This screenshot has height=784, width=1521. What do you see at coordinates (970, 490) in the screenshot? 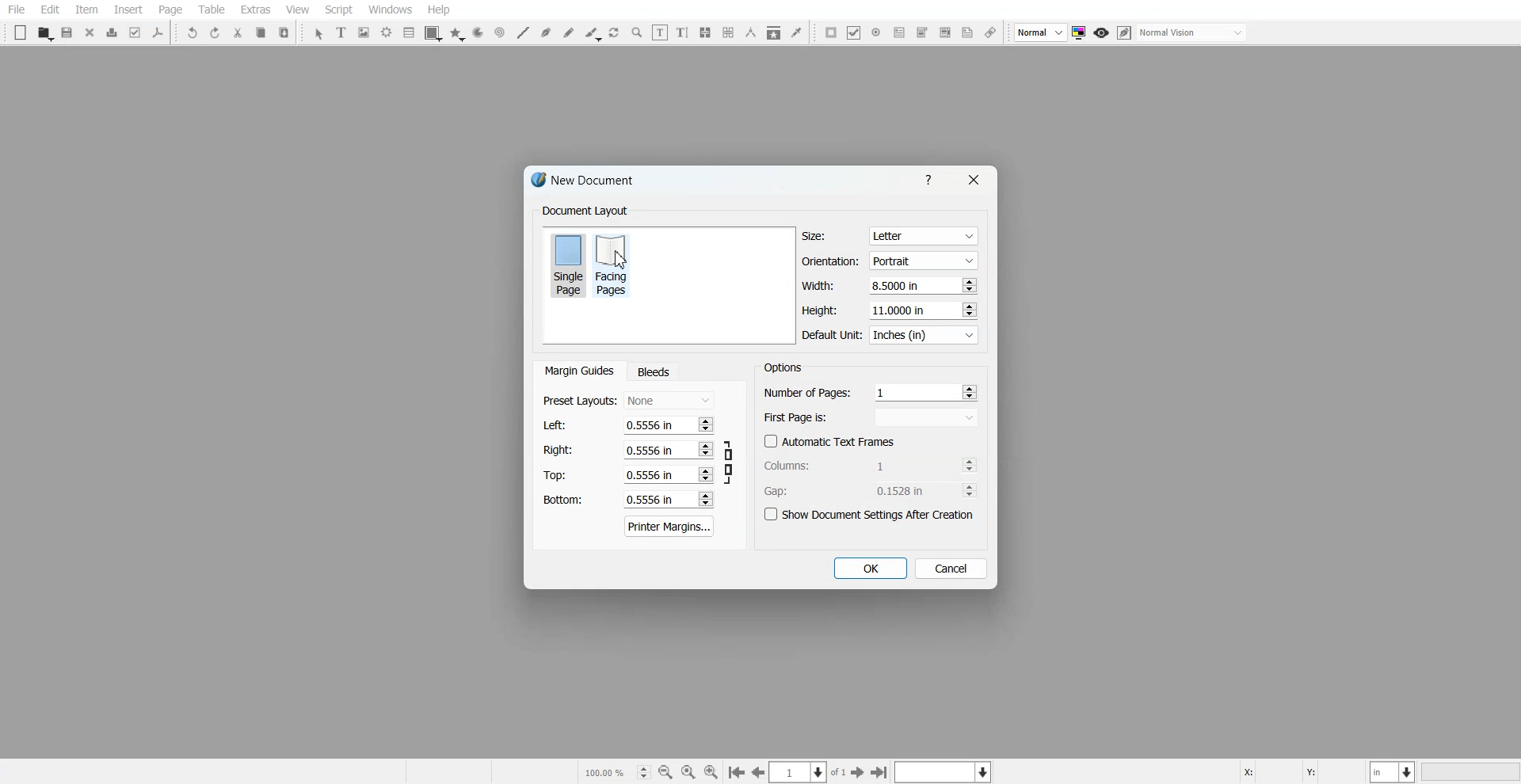
I see `Increase and decrease No. ` at bounding box center [970, 490].